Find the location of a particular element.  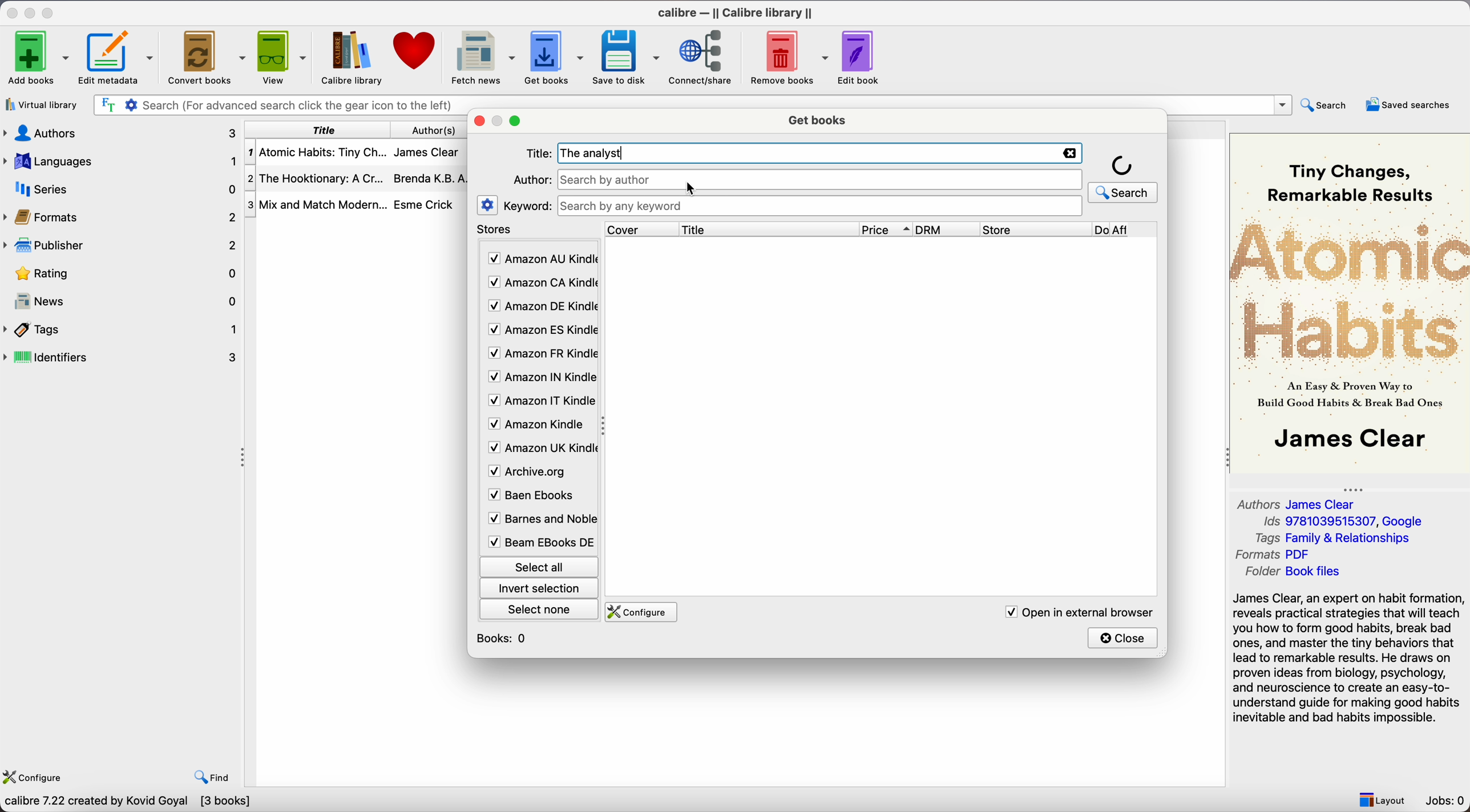

Authors James Clear is located at coordinates (1298, 503).